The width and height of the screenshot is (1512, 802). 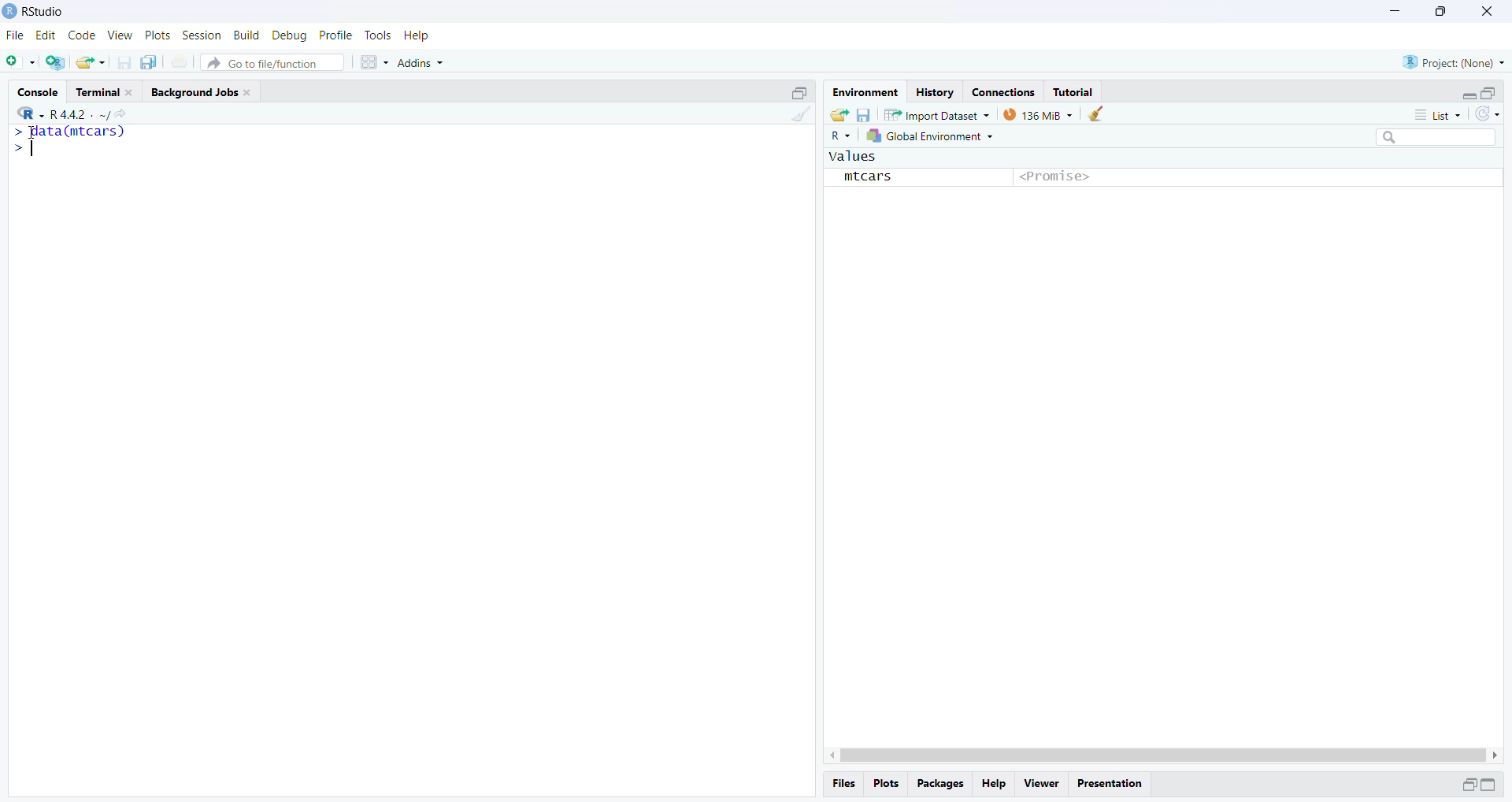 I want to click on New File, so click(x=21, y=61).